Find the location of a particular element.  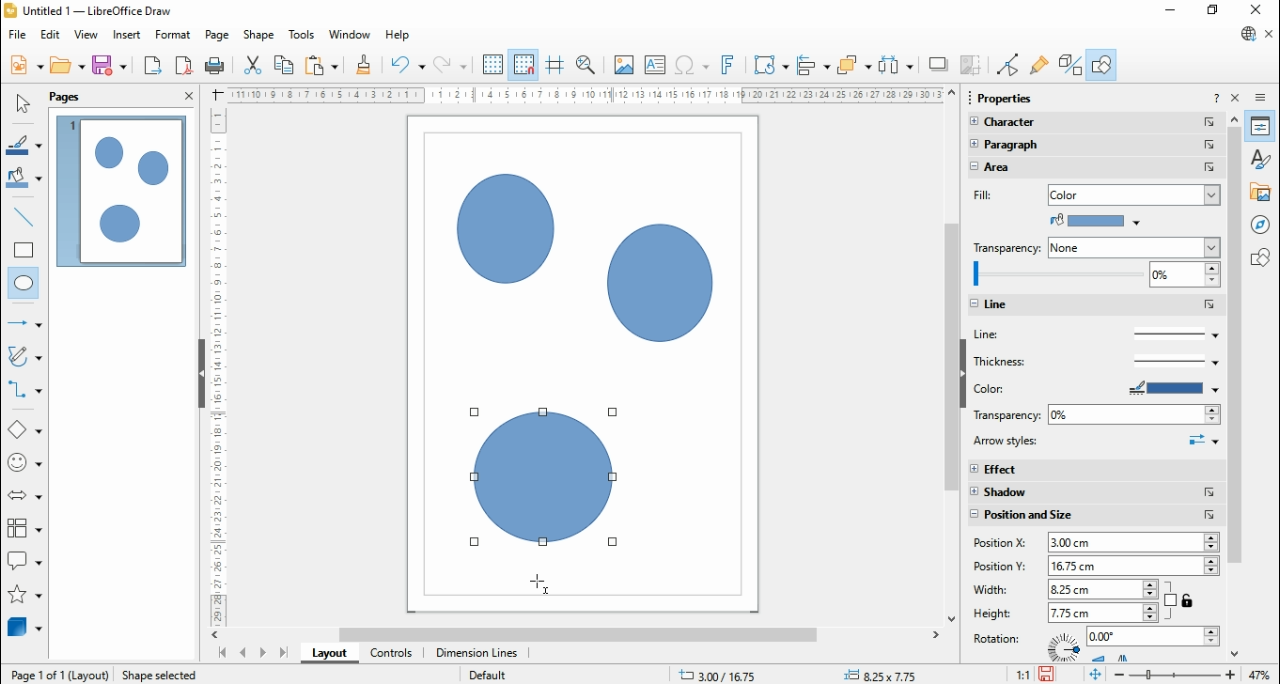

2.00 cm  is located at coordinates (1133, 543).